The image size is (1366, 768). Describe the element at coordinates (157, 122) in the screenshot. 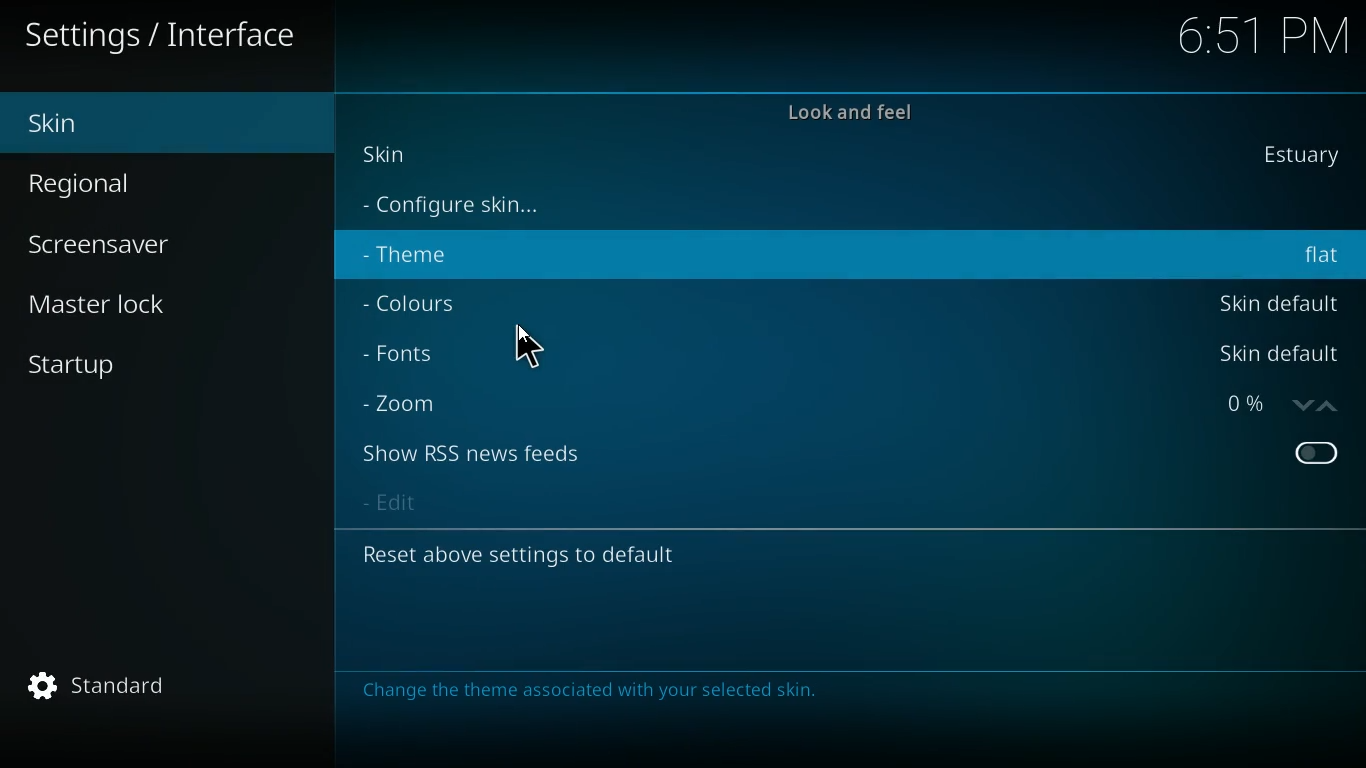

I see `skin` at that location.